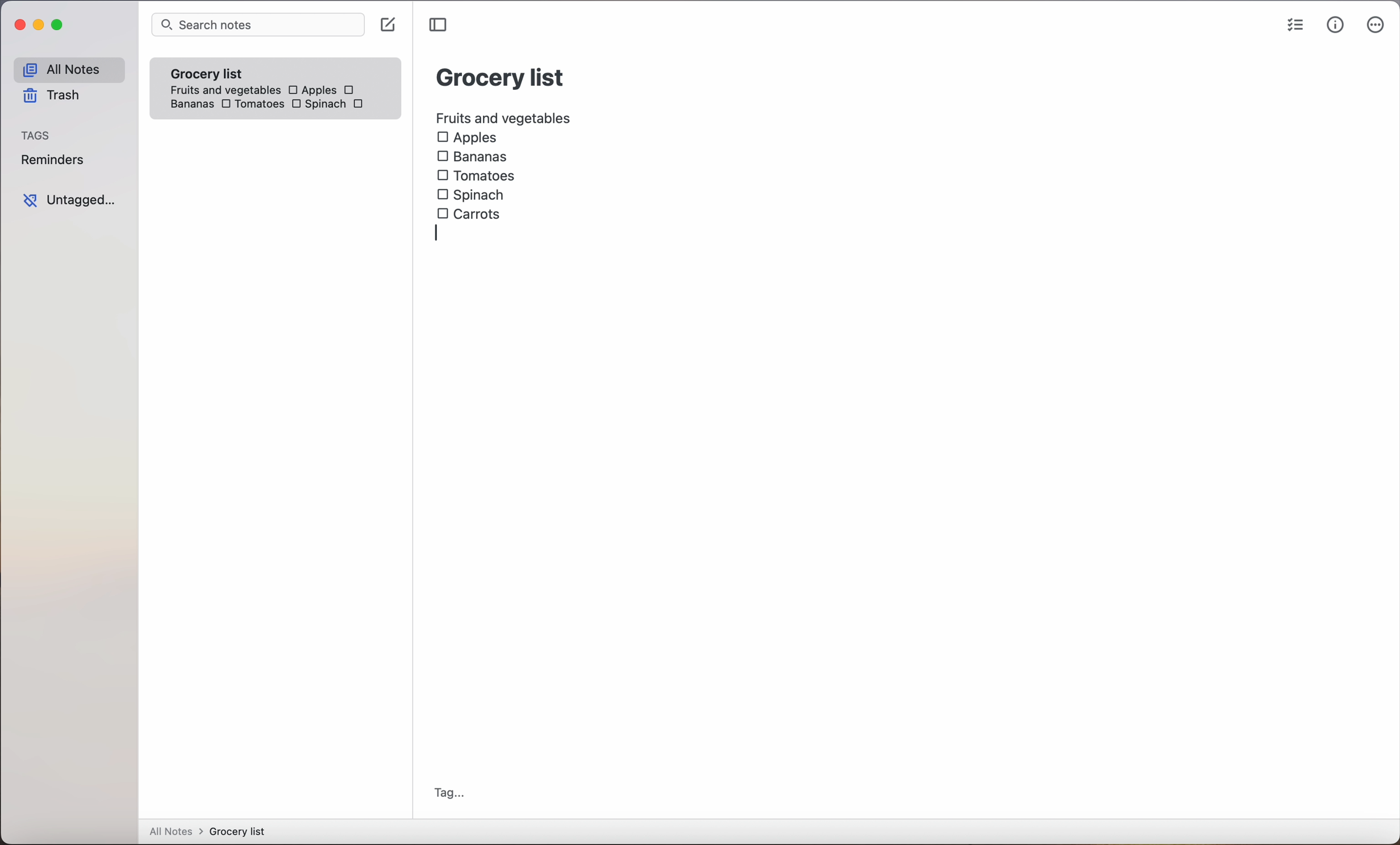 The width and height of the screenshot is (1400, 845). What do you see at coordinates (212, 833) in the screenshot?
I see `all notes > grocery list` at bounding box center [212, 833].